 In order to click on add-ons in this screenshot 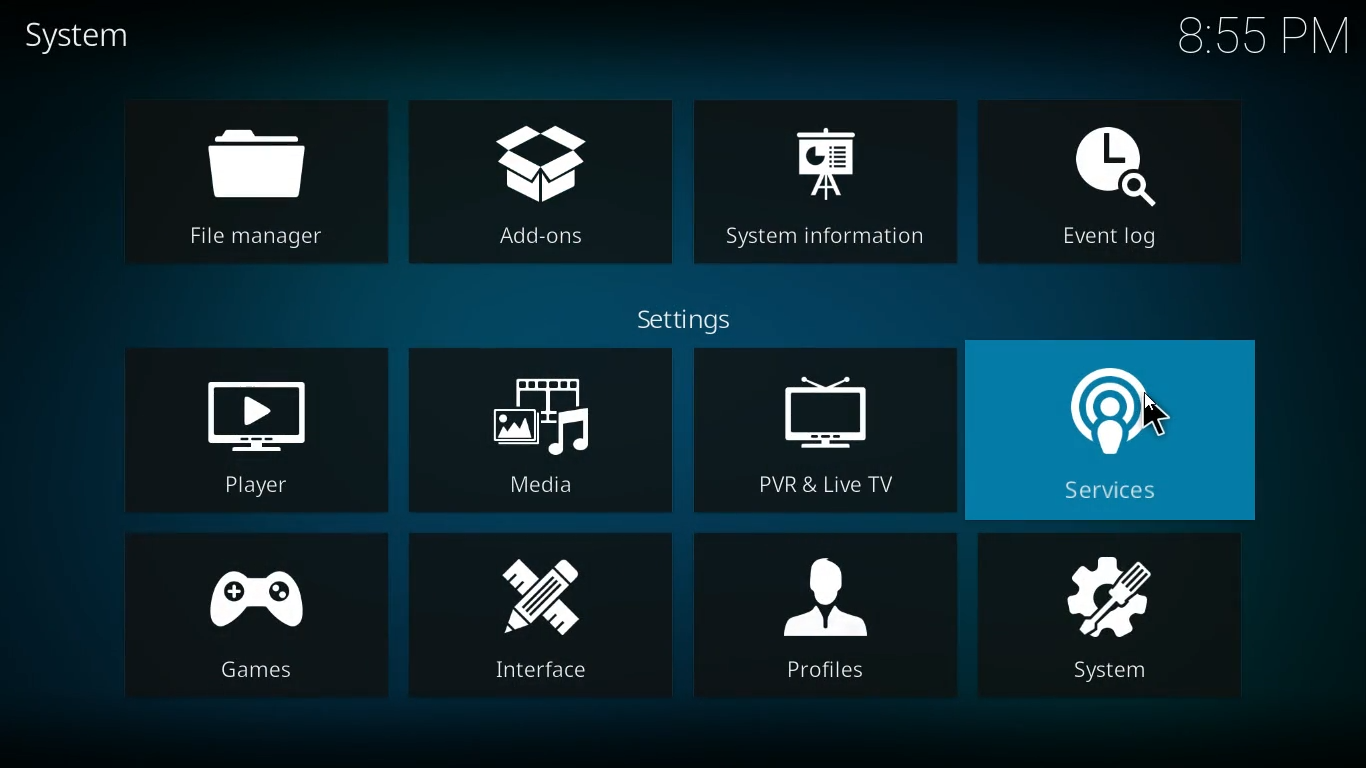, I will do `click(542, 176)`.